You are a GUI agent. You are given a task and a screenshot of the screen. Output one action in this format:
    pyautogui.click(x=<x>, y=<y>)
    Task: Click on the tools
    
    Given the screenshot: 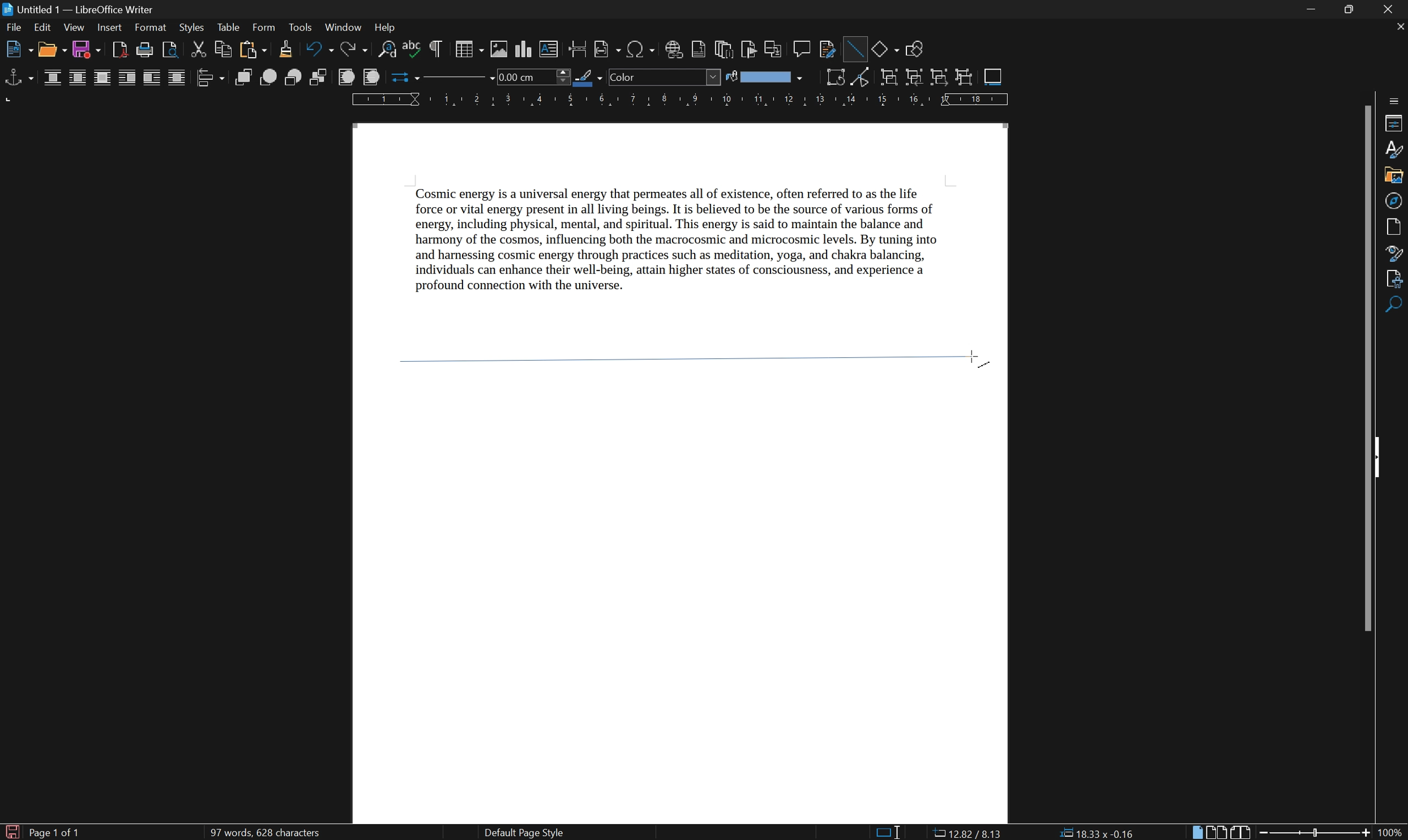 What is the action you would take?
    pyautogui.click(x=301, y=28)
    